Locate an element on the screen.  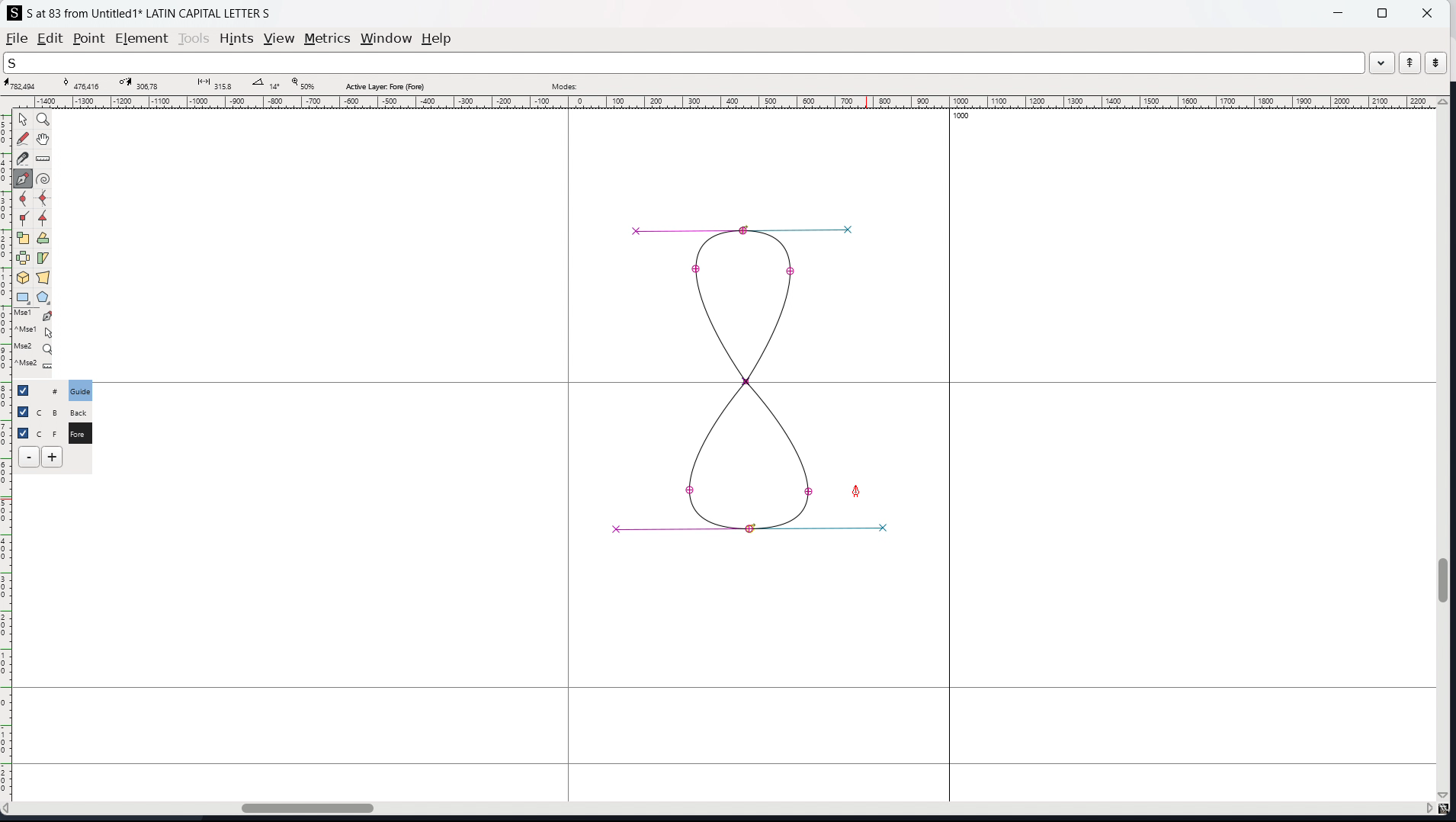
C F Fore is located at coordinates (79, 432).